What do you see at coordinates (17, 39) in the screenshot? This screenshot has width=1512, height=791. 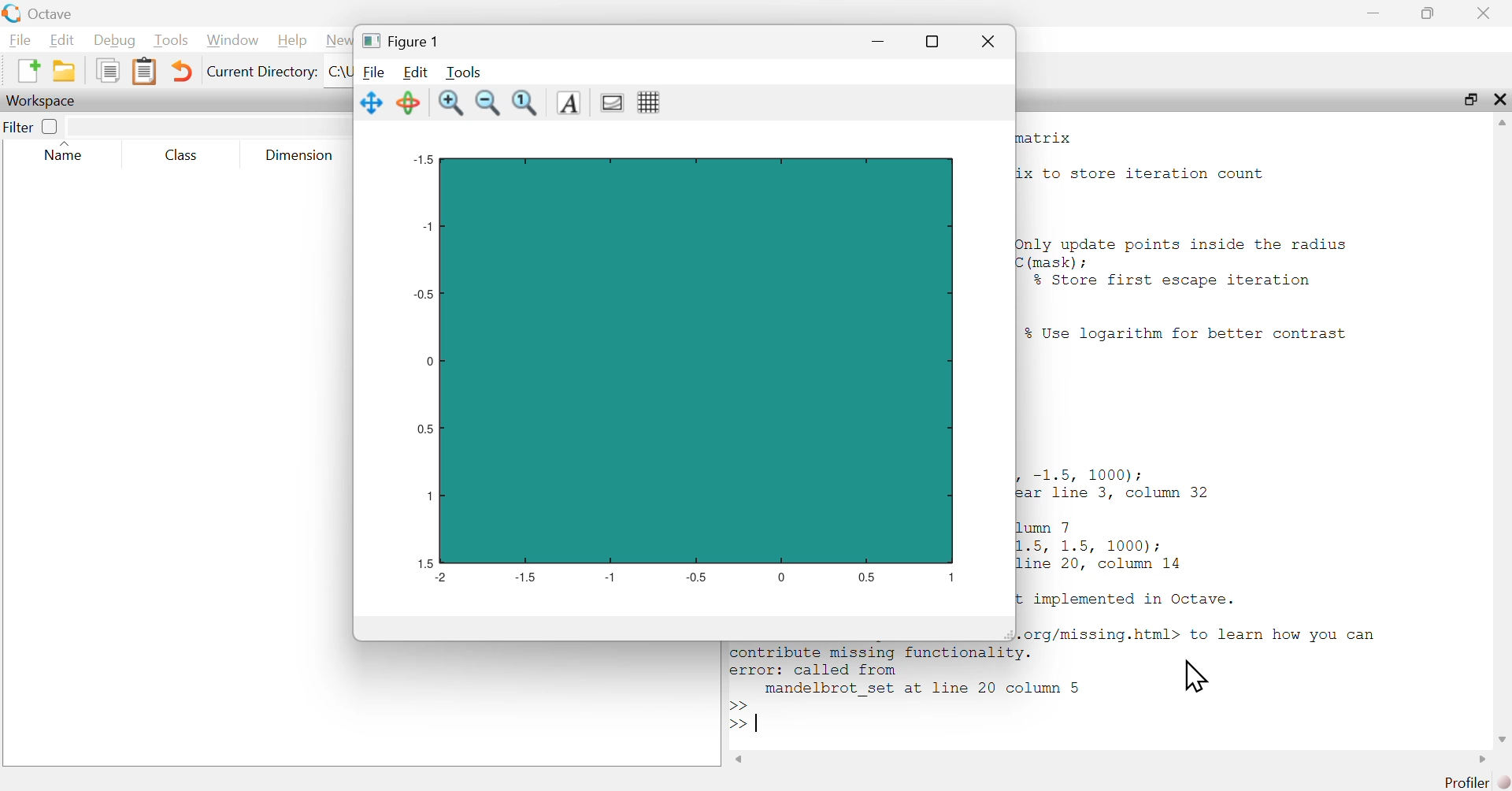 I see `File` at bounding box center [17, 39].